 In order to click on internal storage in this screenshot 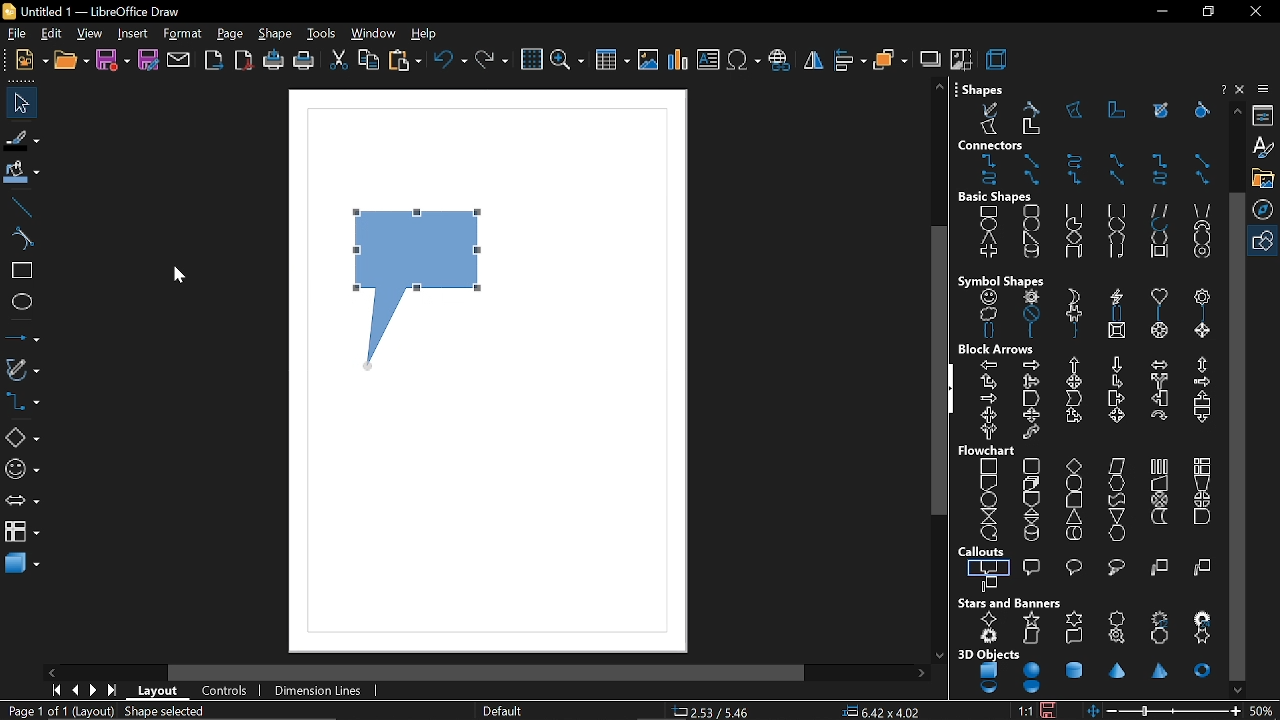, I will do `click(1203, 465)`.